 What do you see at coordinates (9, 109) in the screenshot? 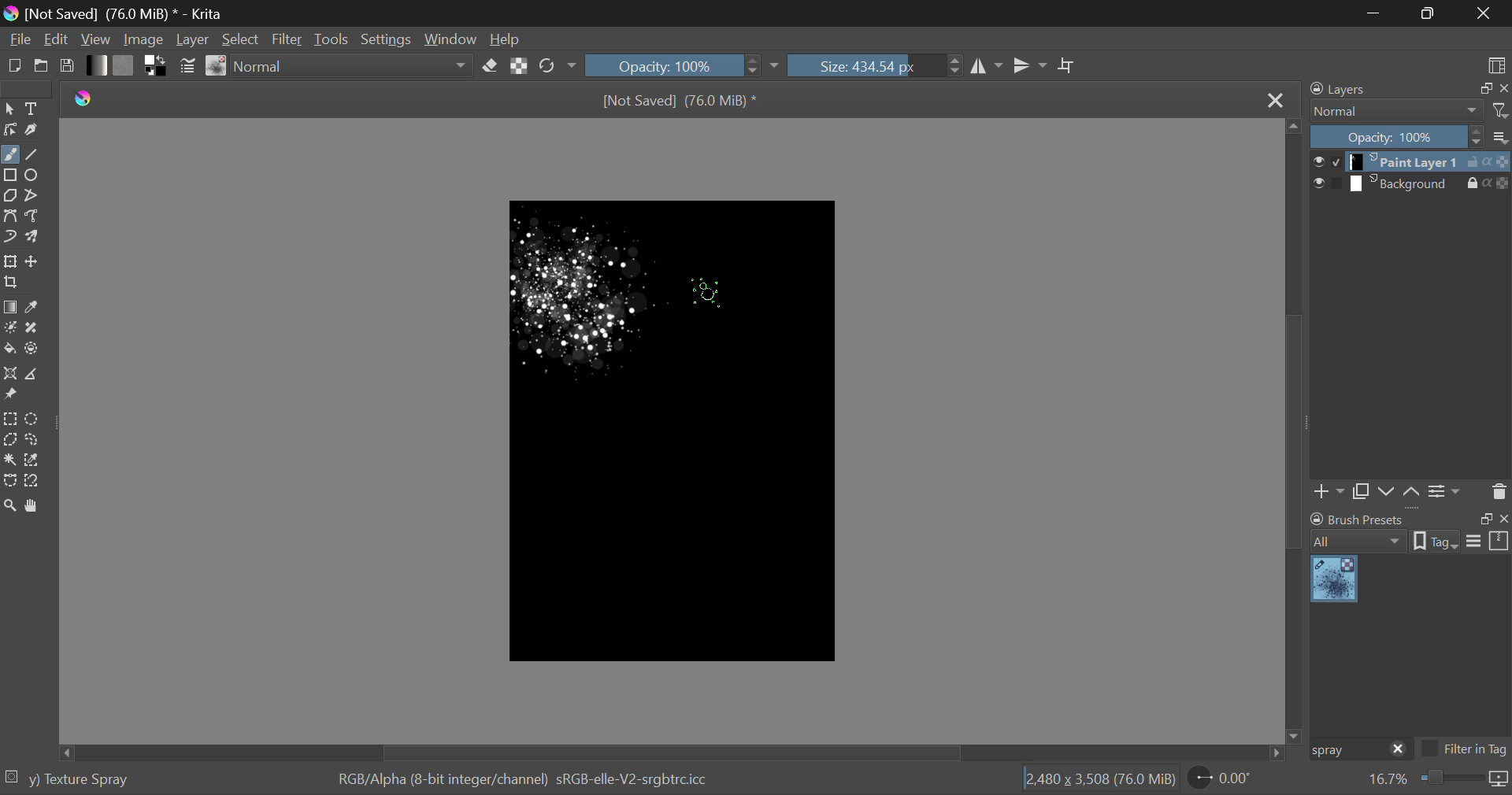
I see `Select` at bounding box center [9, 109].